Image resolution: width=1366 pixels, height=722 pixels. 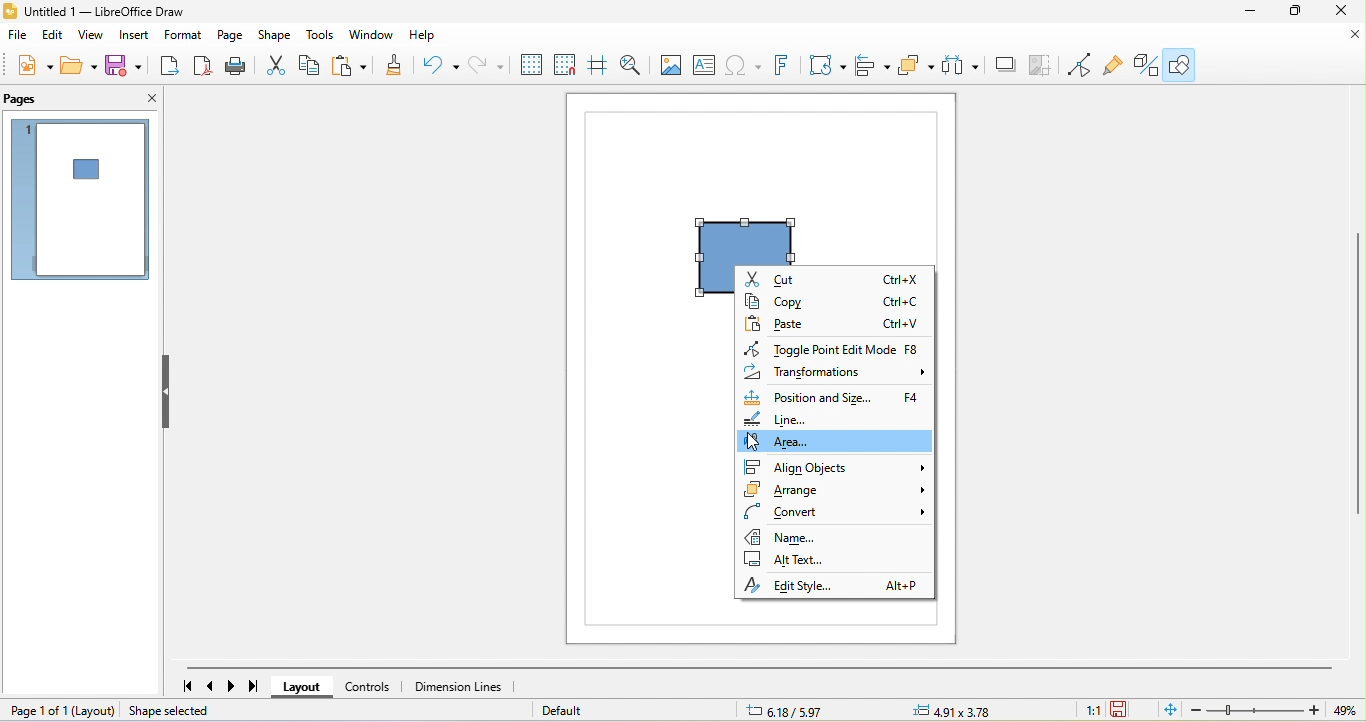 I want to click on zoom, so click(x=1274, y=711).